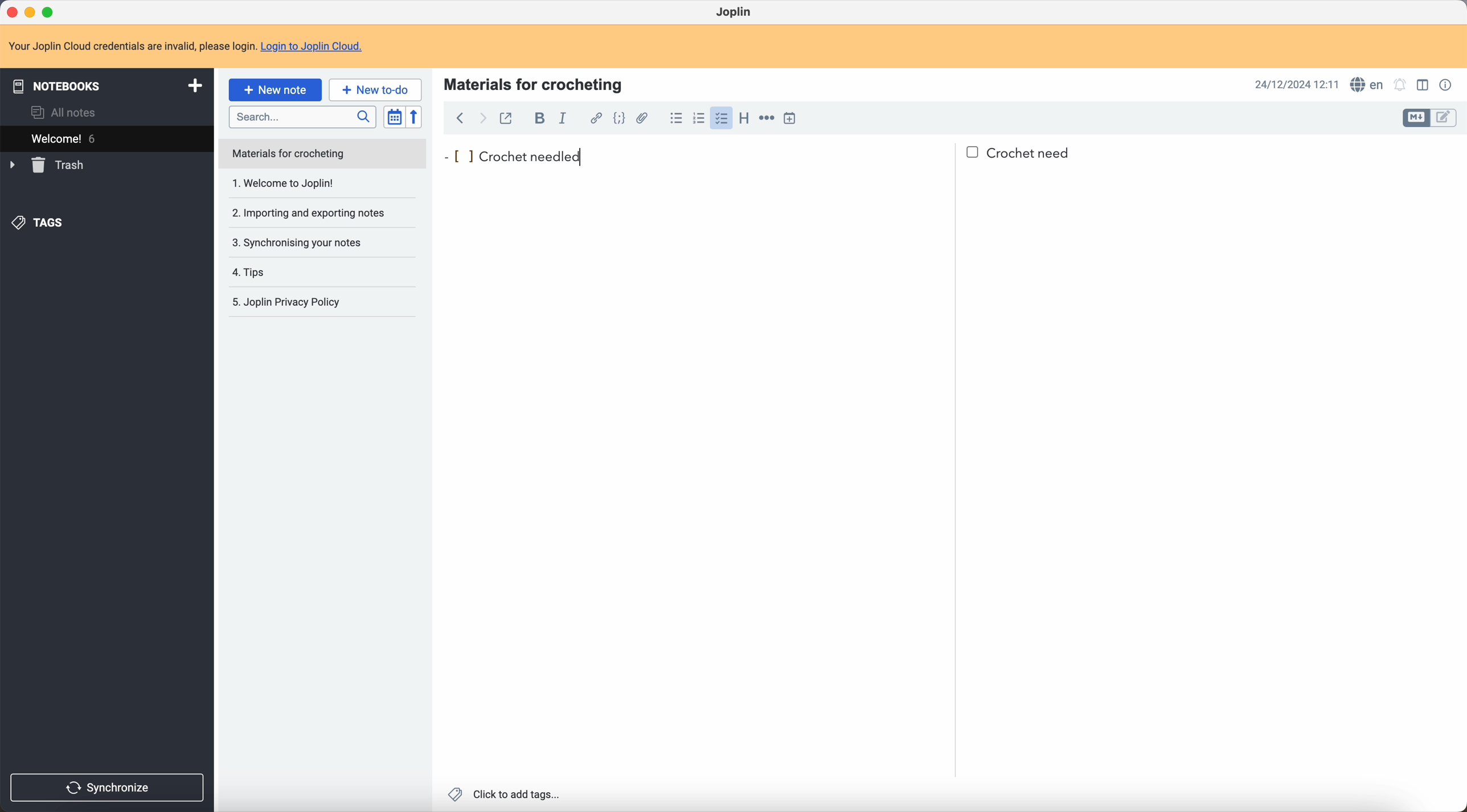 The width and height of the screenshot is (1467, 812). What do you see at coordinates (735, 13) in the screenshot?
I see `Joplin` at bounding box center [735, 13].